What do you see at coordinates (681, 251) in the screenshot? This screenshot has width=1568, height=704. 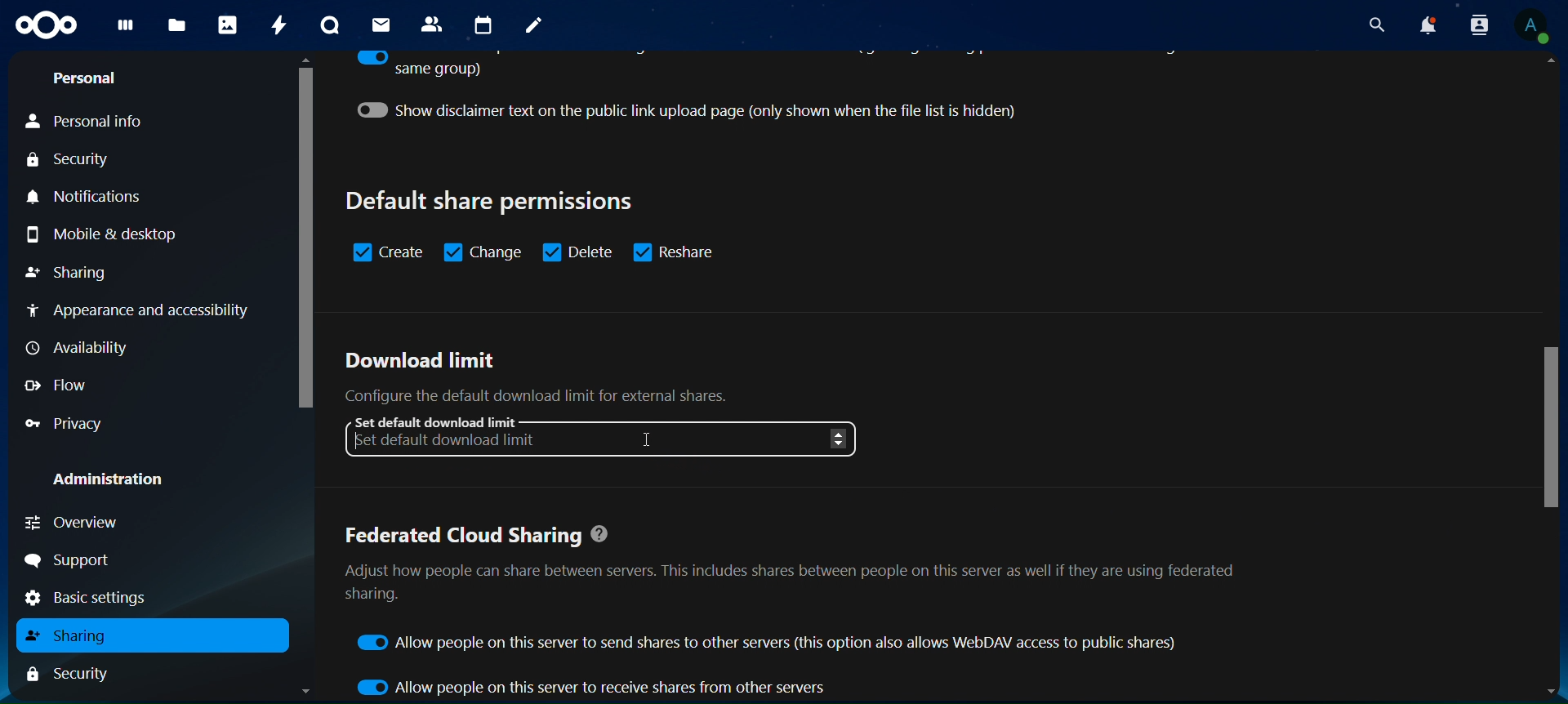 I see `reshare` at bounding box center [681, 251].